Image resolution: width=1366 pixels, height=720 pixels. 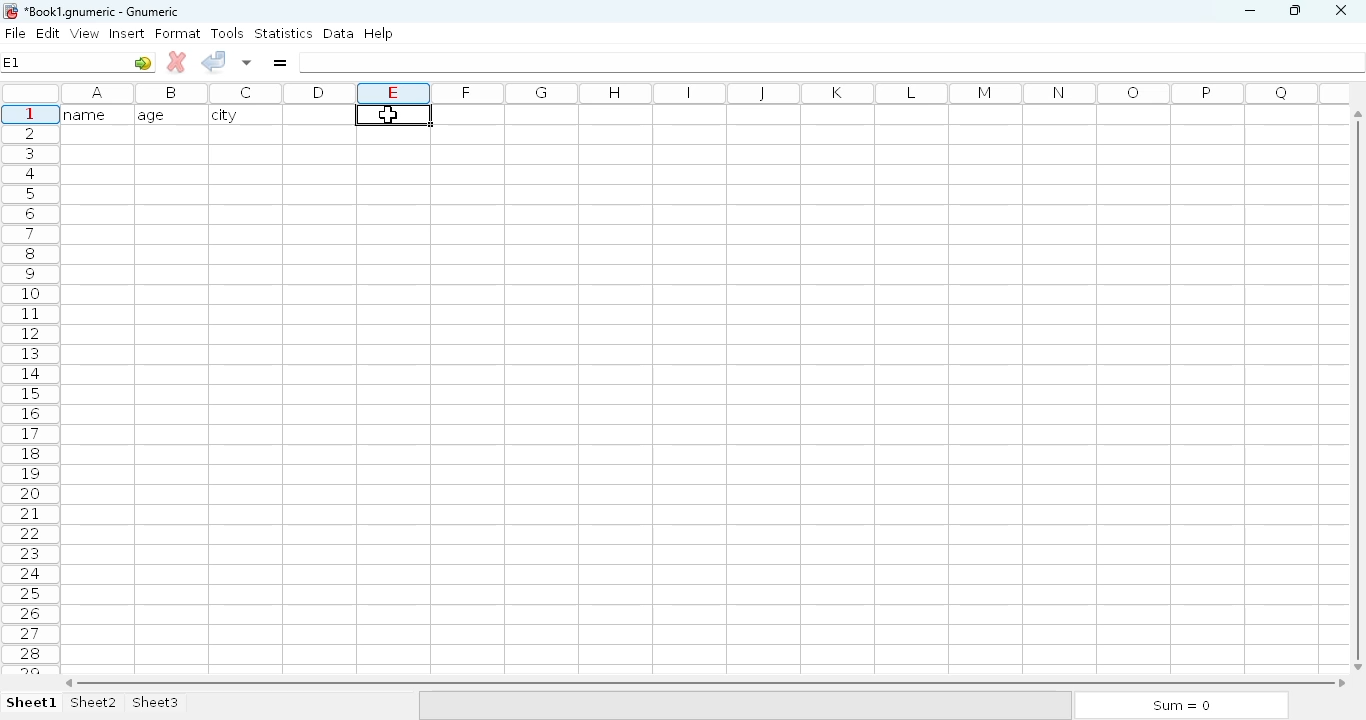 What do you see at coordinates (833, 62) in the screenshot?
I see `formula bar` at bounding box center [833, 62].